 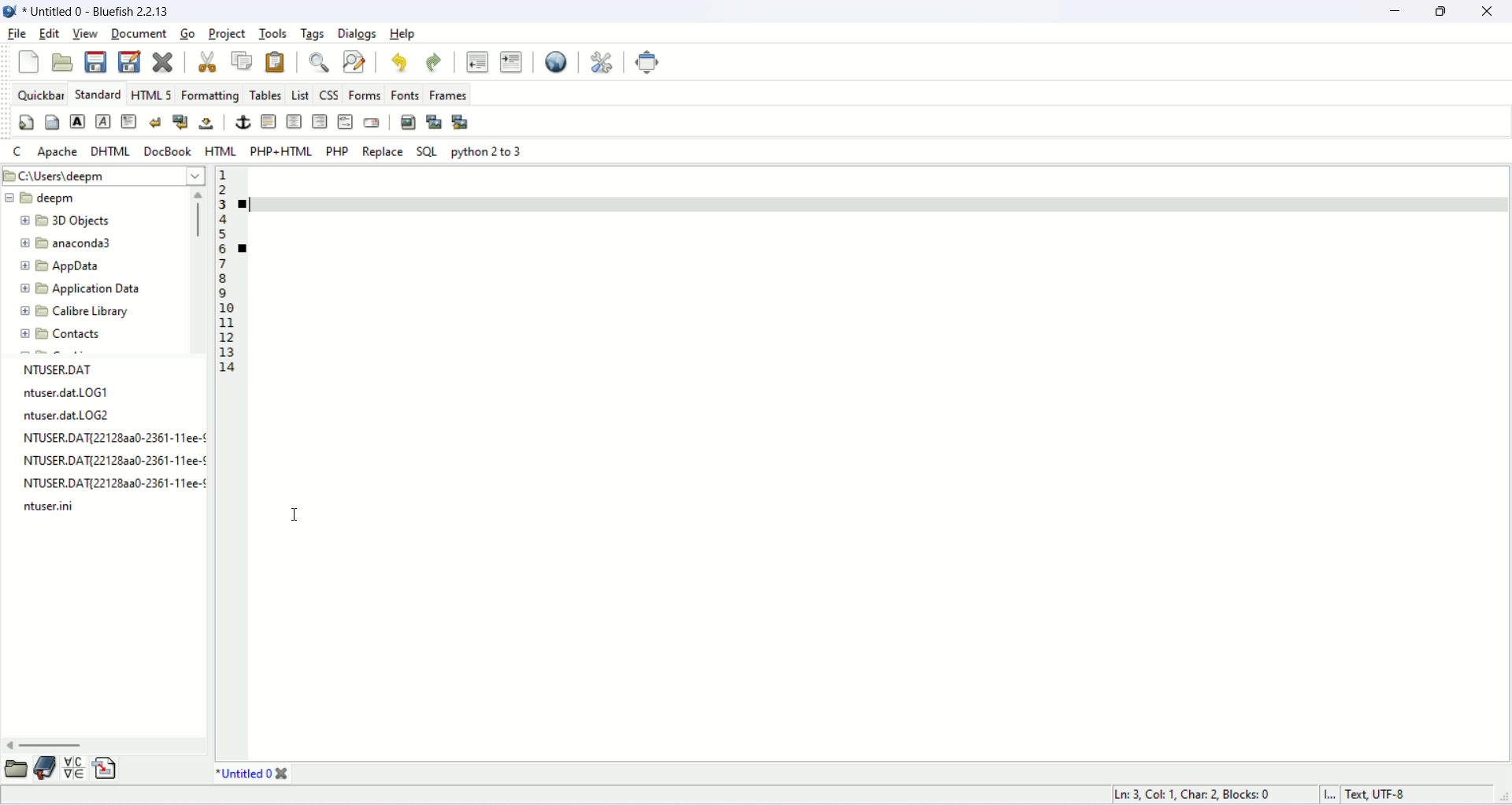 I want to click on redo, so click(x=433, y=64).